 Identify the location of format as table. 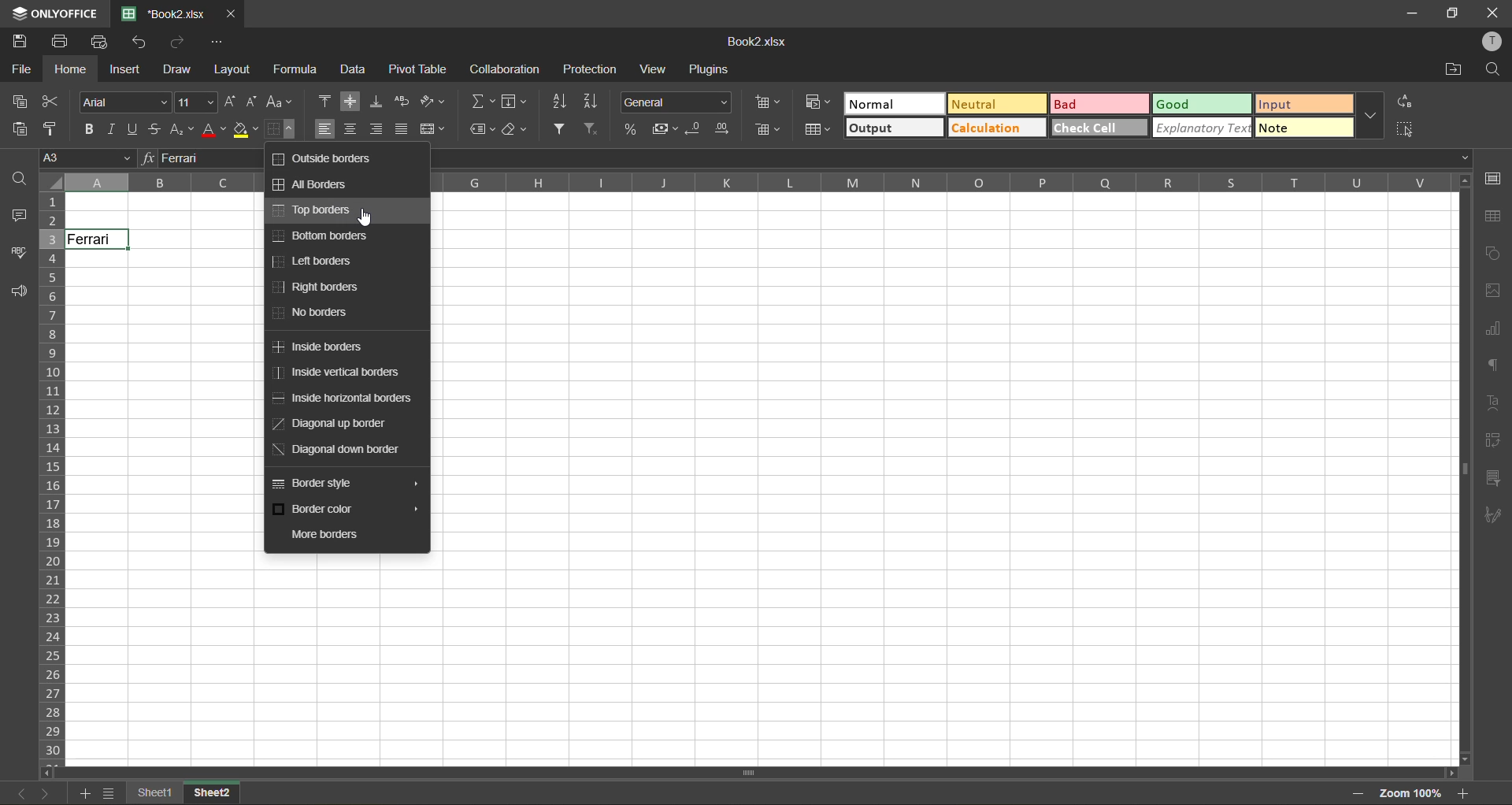
(819, 131).